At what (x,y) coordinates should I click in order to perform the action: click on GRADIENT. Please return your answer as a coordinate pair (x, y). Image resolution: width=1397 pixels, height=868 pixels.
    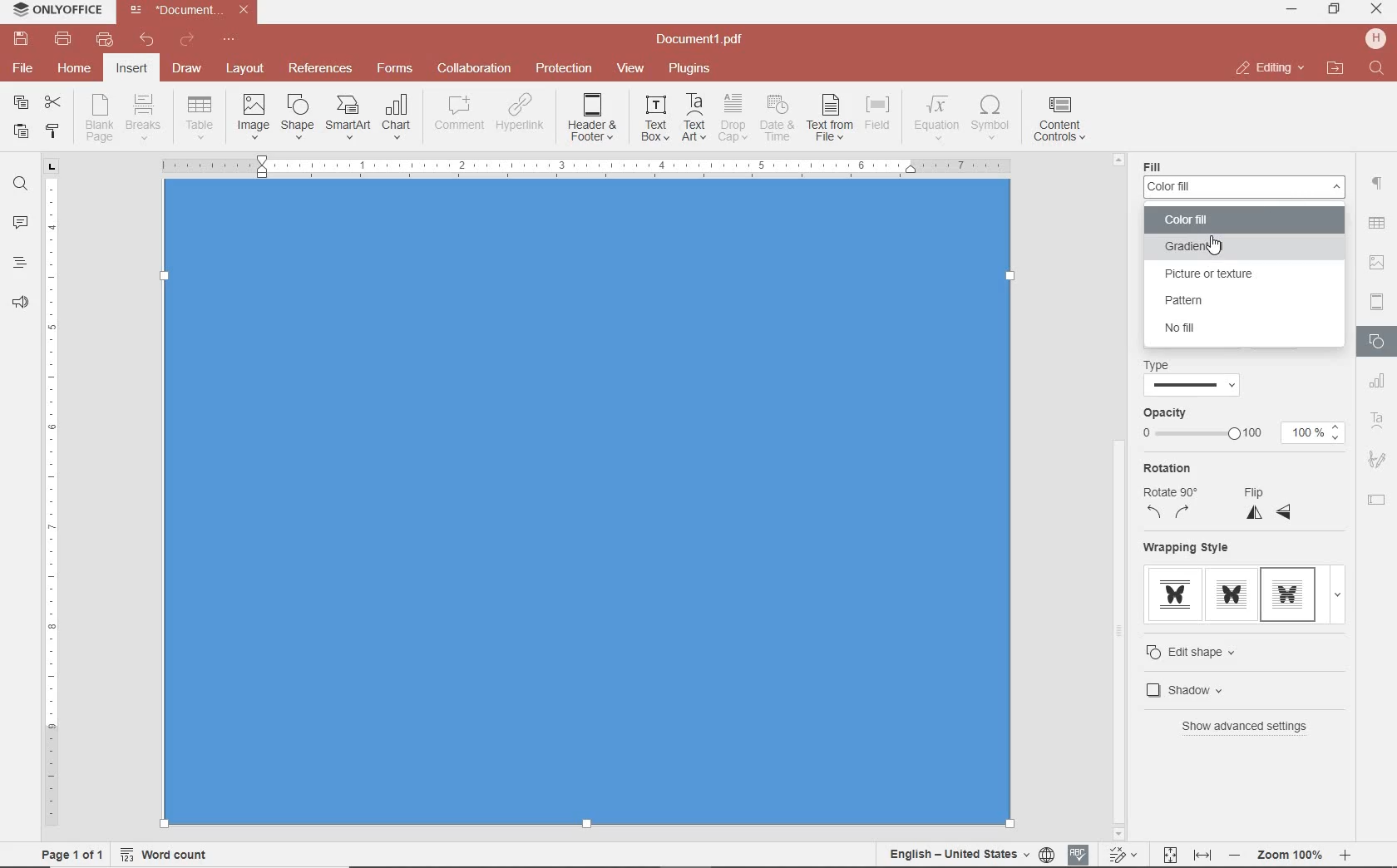
    Looking at the image, I should click on (1219, 244).